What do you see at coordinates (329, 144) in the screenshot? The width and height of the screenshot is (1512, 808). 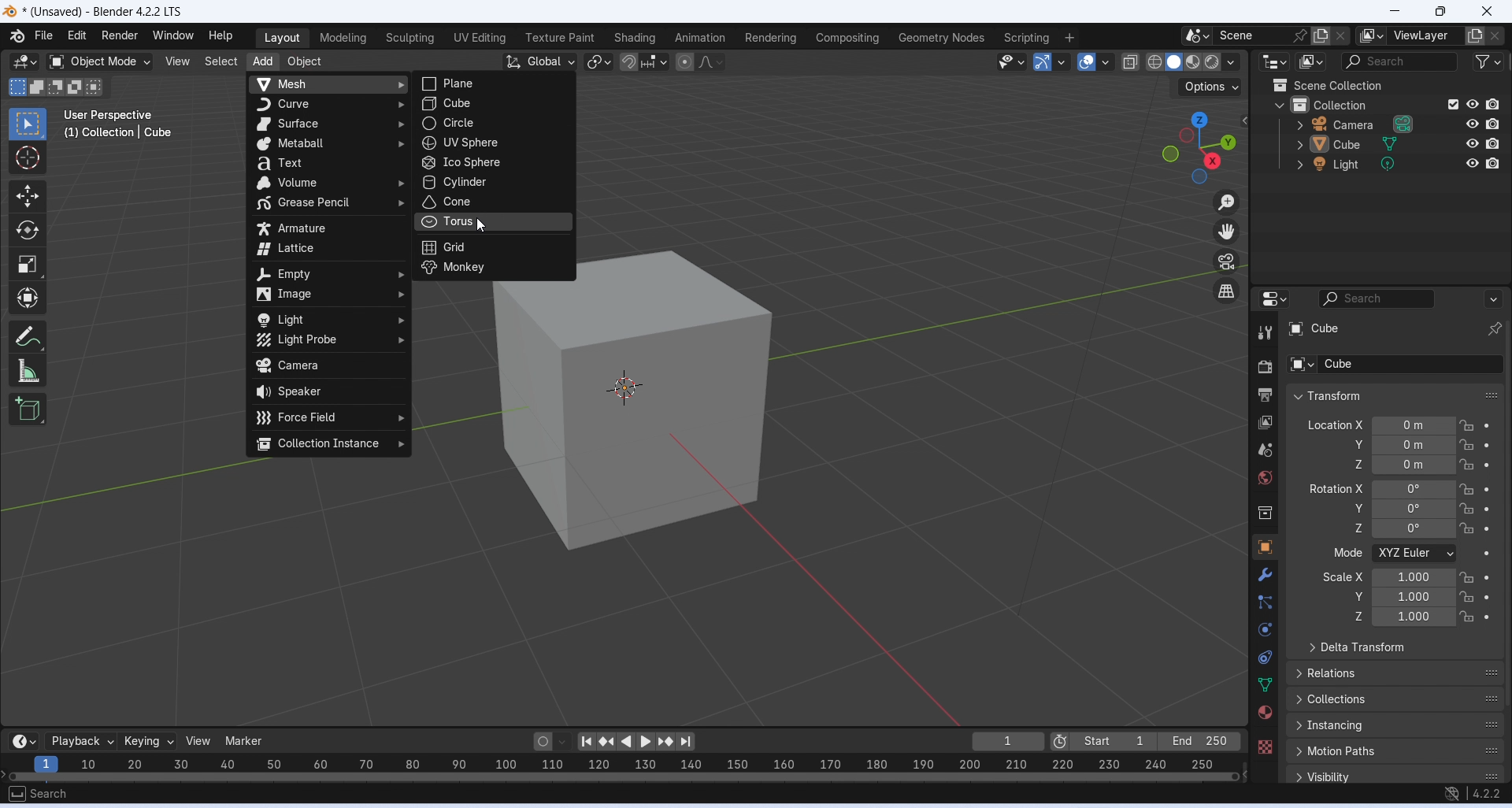 I see `metaball` at bounding box center [329, 144].